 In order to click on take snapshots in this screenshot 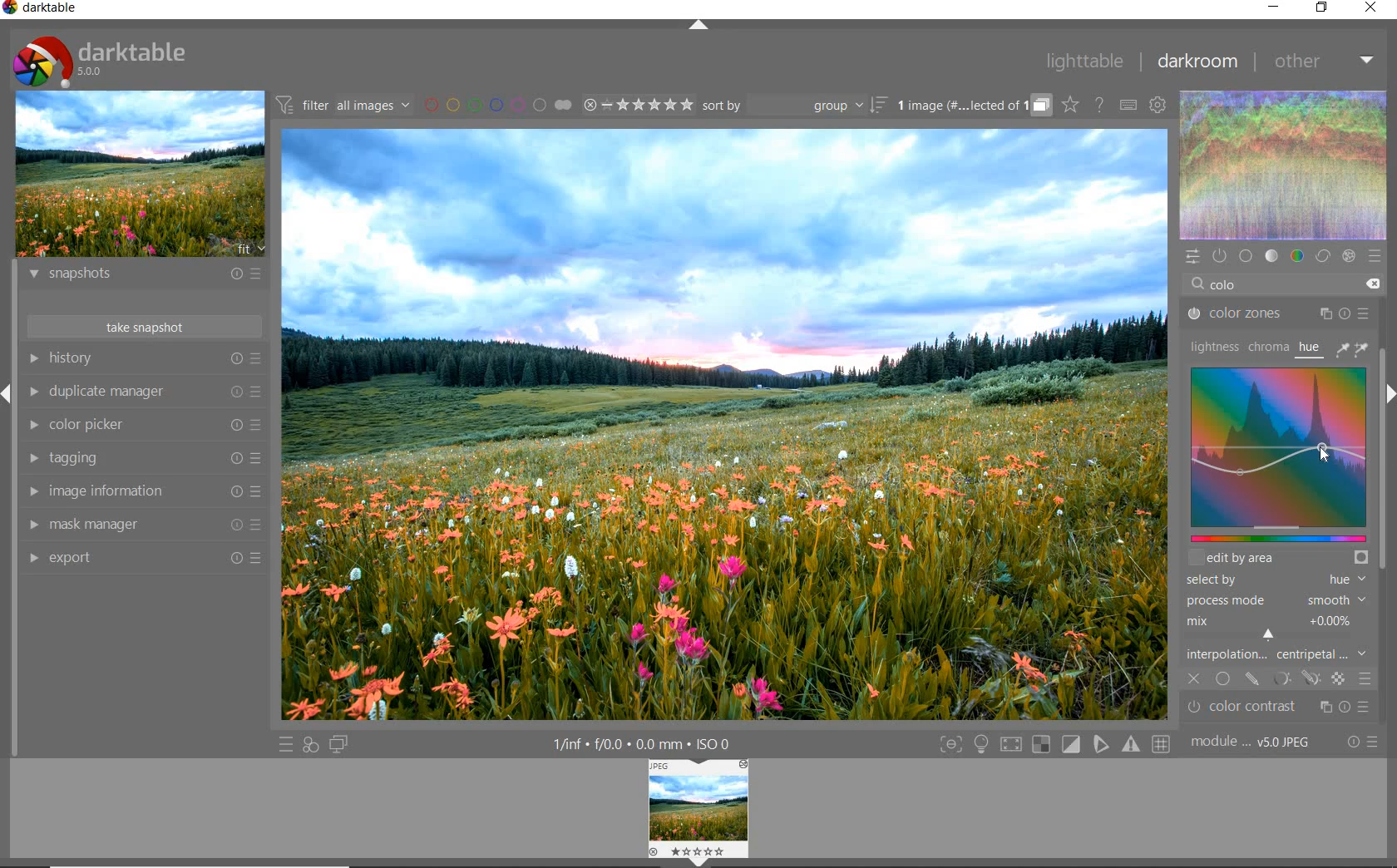, I will do `click(142, 326)`.